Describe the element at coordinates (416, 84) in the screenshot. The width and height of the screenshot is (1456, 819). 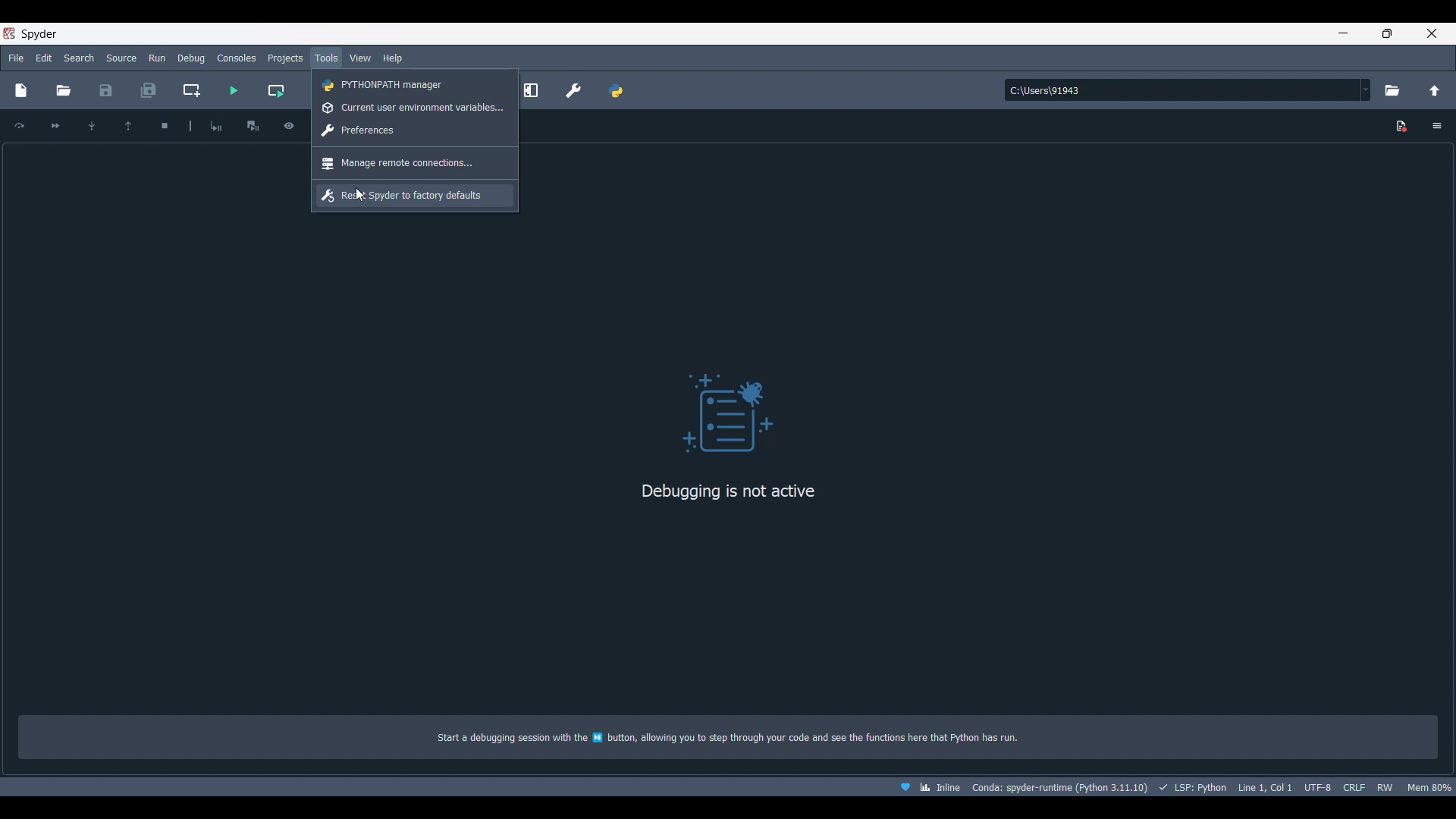
I see `PYTHONPATH manager` at that location.